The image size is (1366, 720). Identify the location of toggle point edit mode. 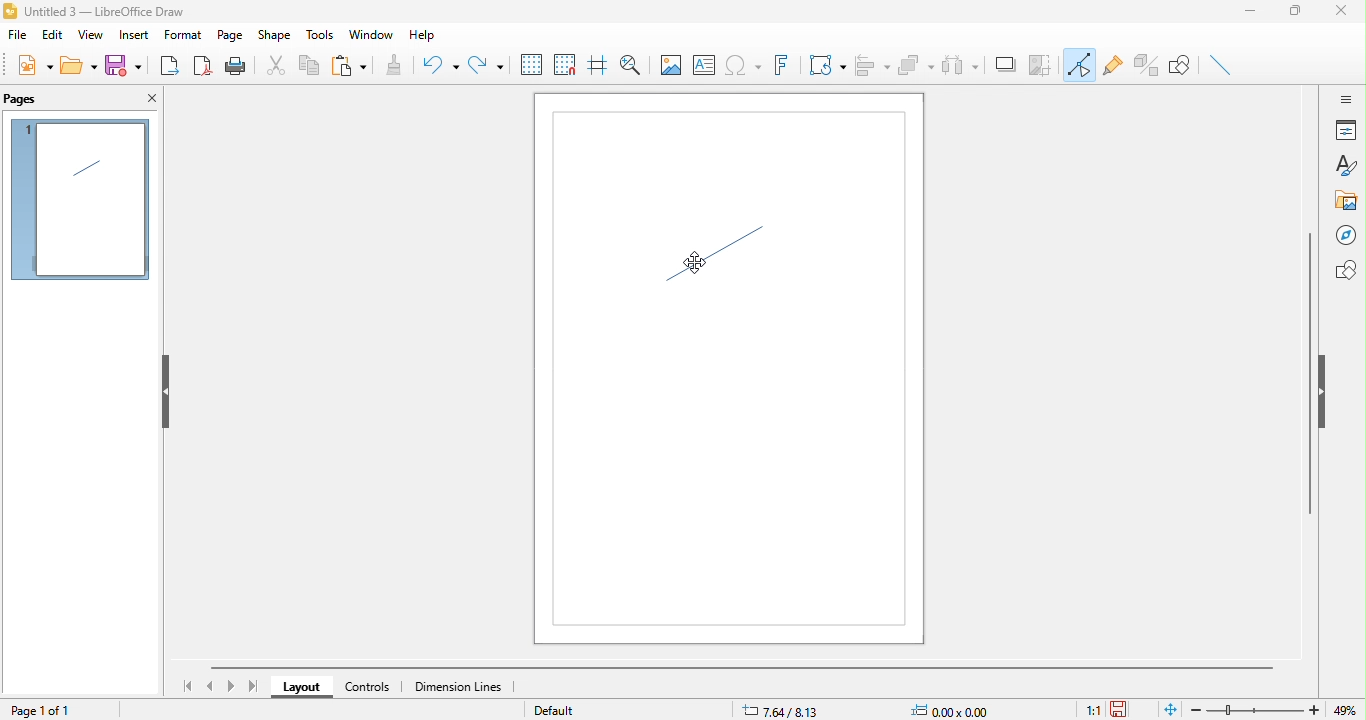
(1081, 67).